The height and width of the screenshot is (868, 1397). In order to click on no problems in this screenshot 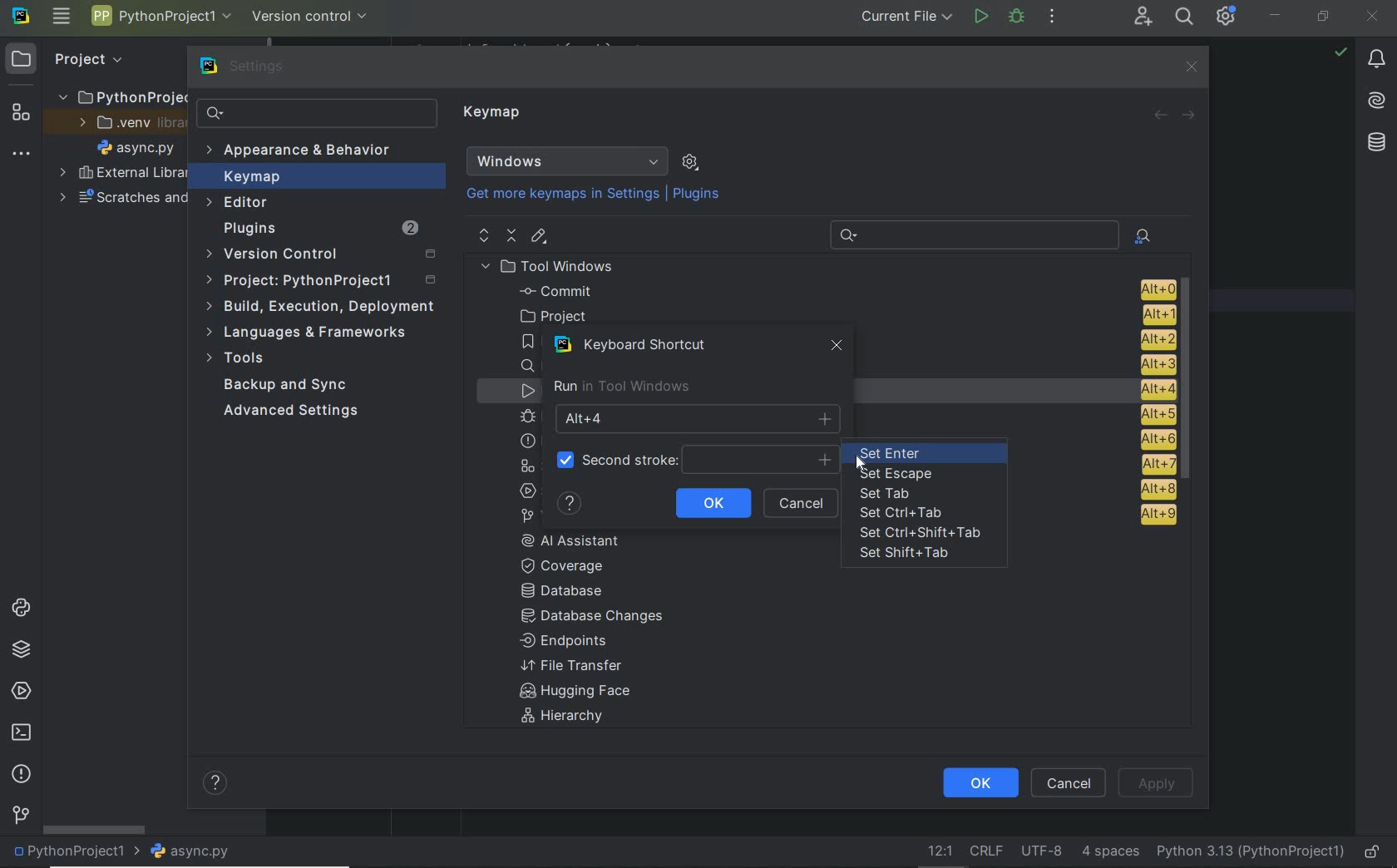, I will do `click(1340, 52)`.